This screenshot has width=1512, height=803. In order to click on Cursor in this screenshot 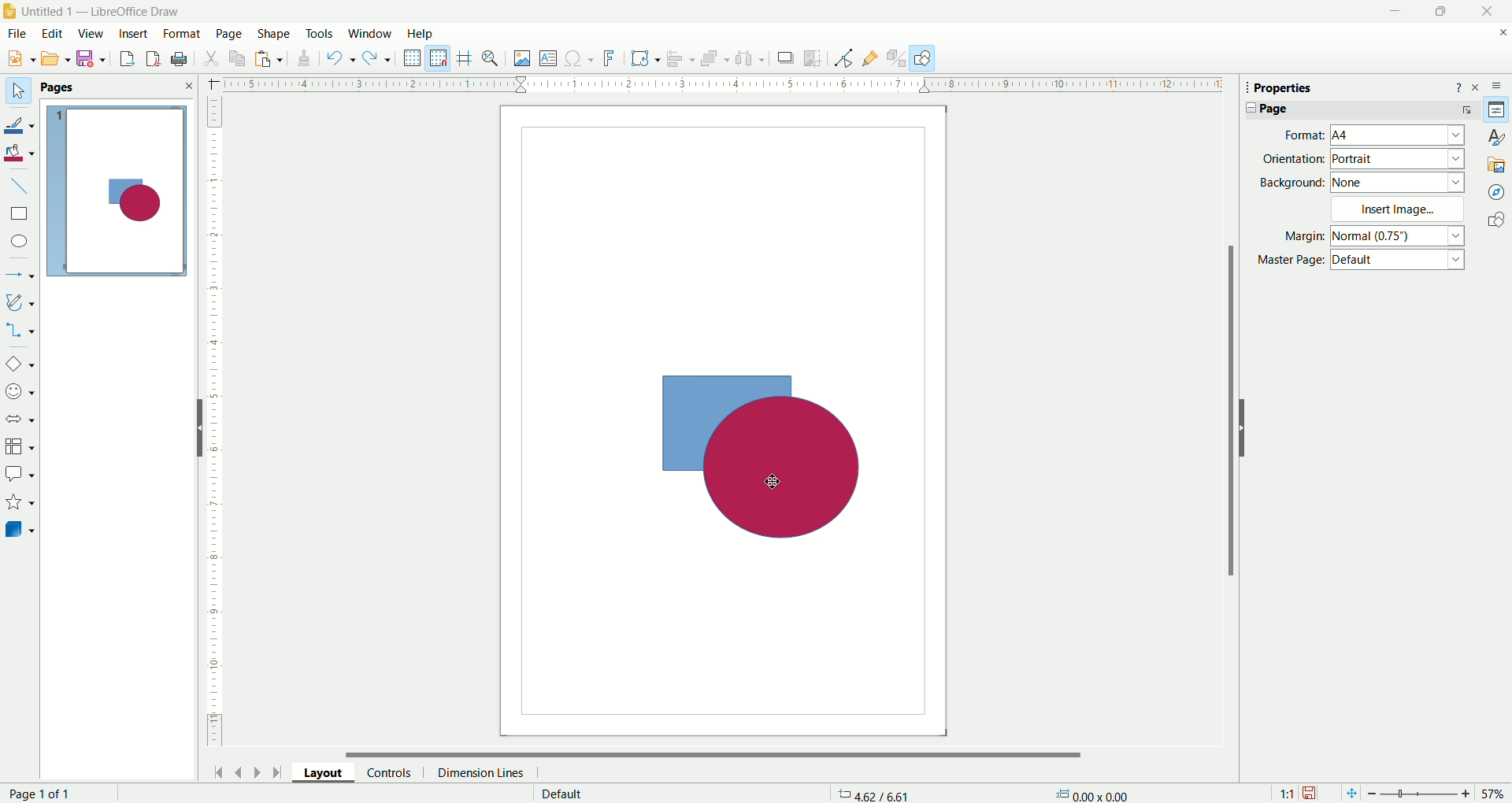, I will do `click(778, 479)`.